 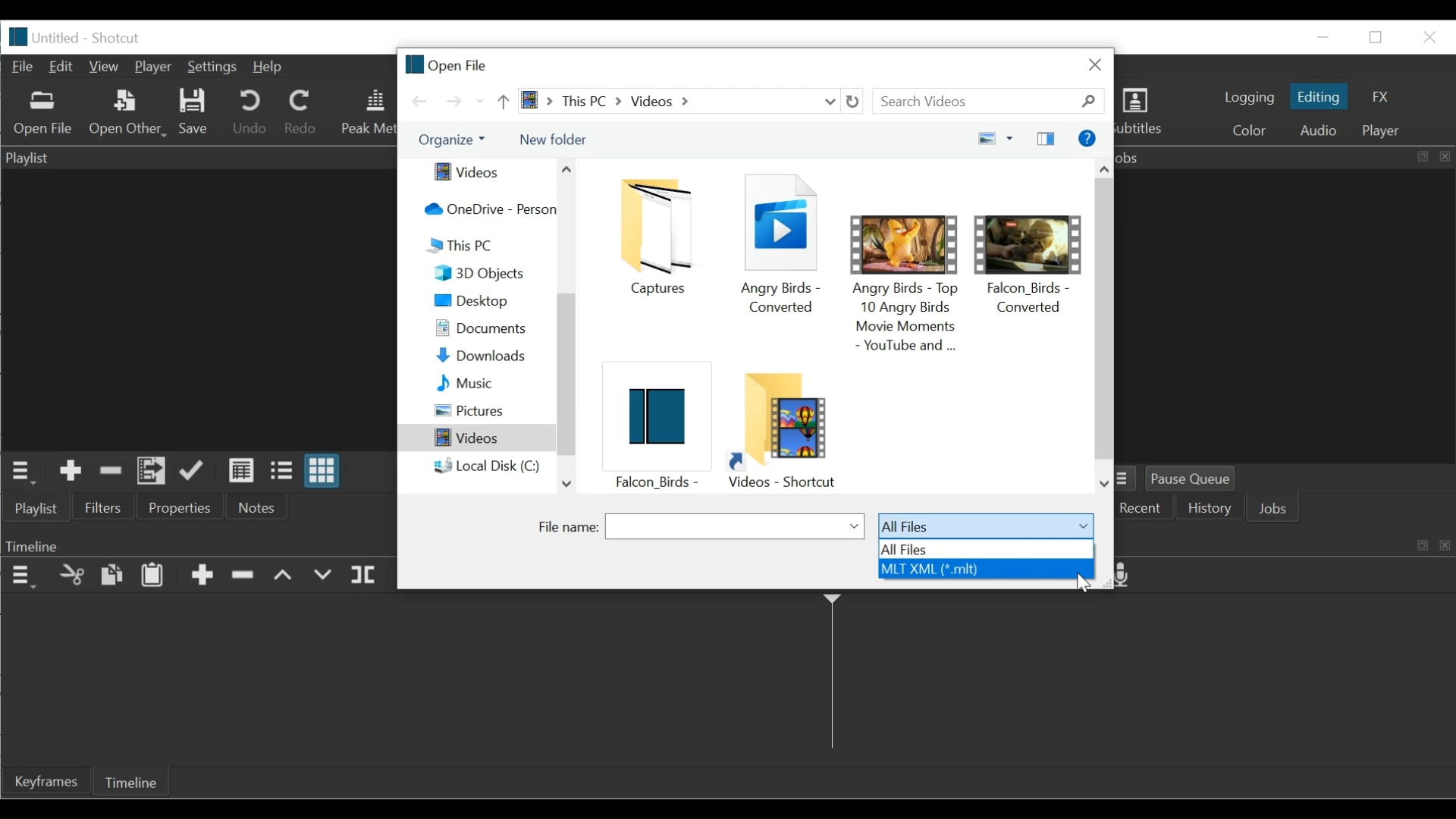 What do you see at coordinates (653, 430) in the screenshot?
I see `flcon _ birds -` at bounding box center [653, 430].